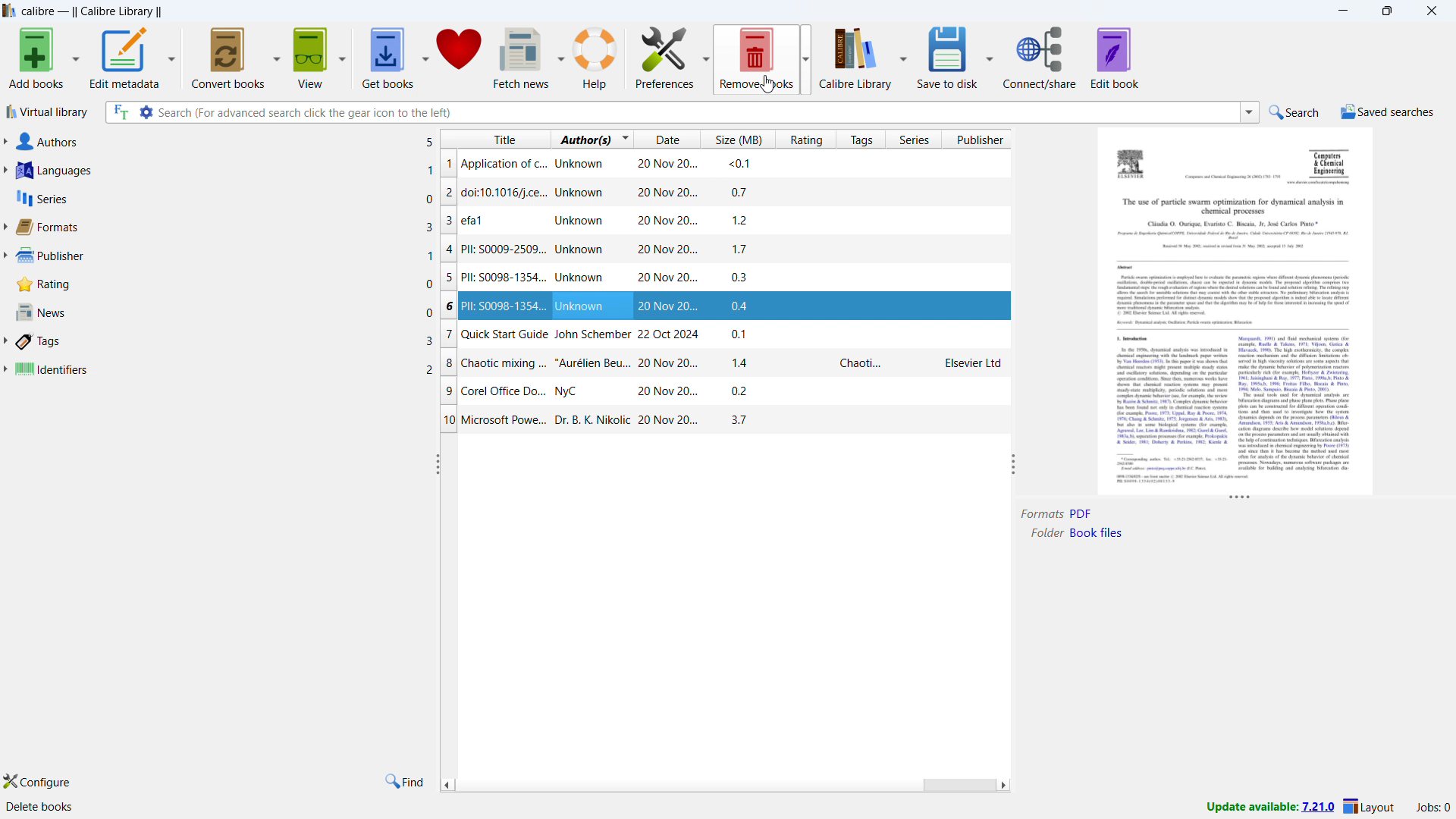 This screenshot has height=819, width=1456. I want to click on title, so click(93, 12).